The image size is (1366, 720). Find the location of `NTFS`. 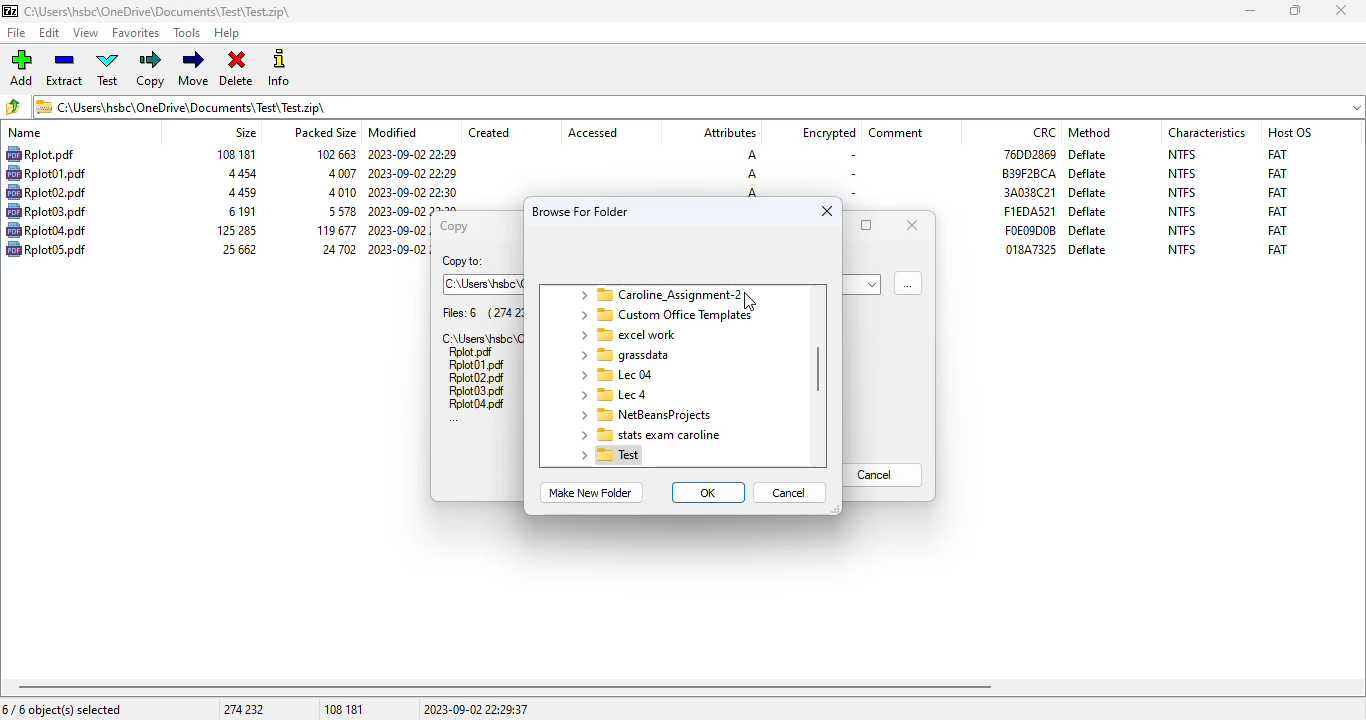

NTFS is located at coordinates (1182, 174).